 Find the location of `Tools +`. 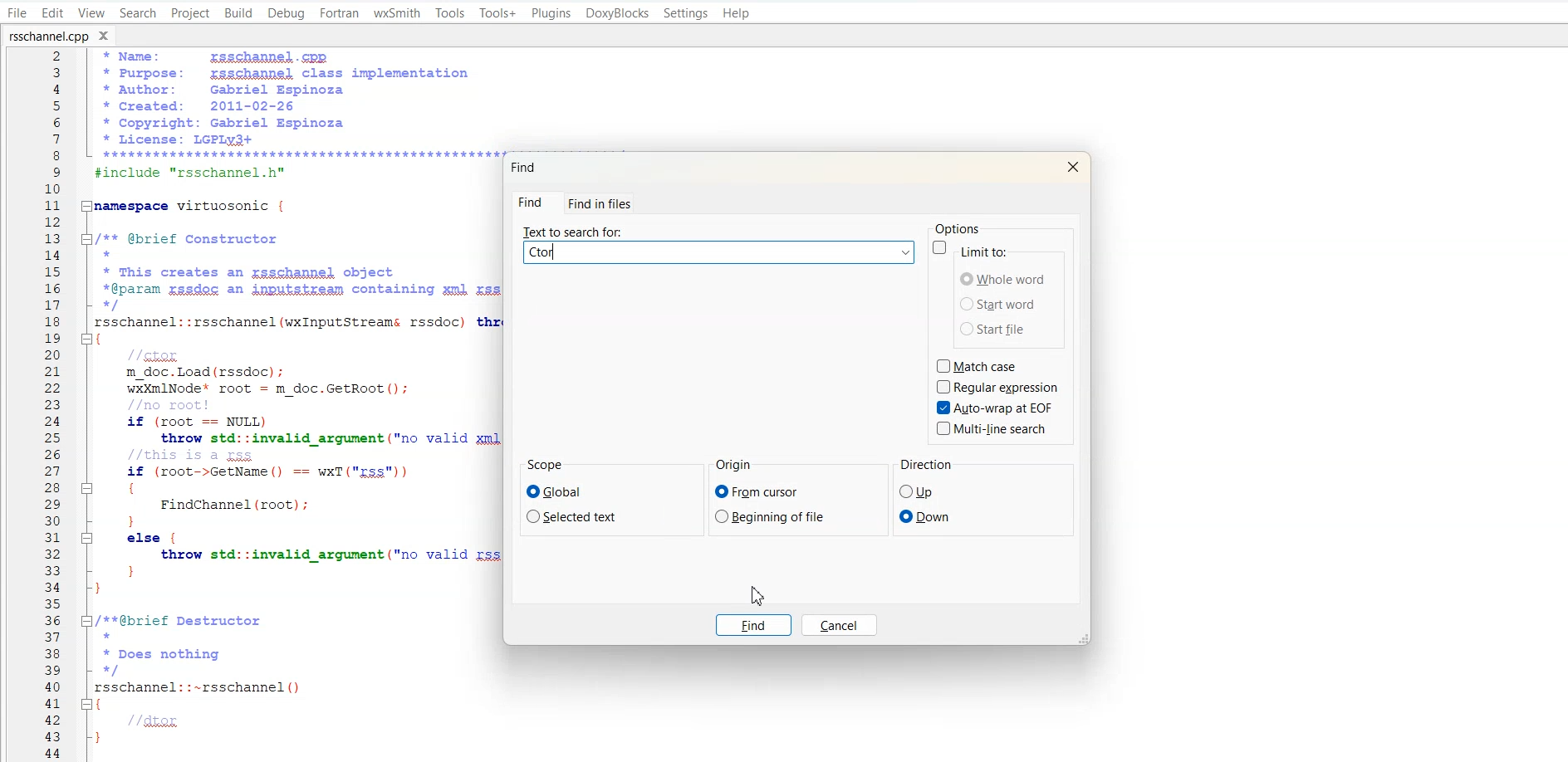

Tools + is located at coordinates (498, 13).